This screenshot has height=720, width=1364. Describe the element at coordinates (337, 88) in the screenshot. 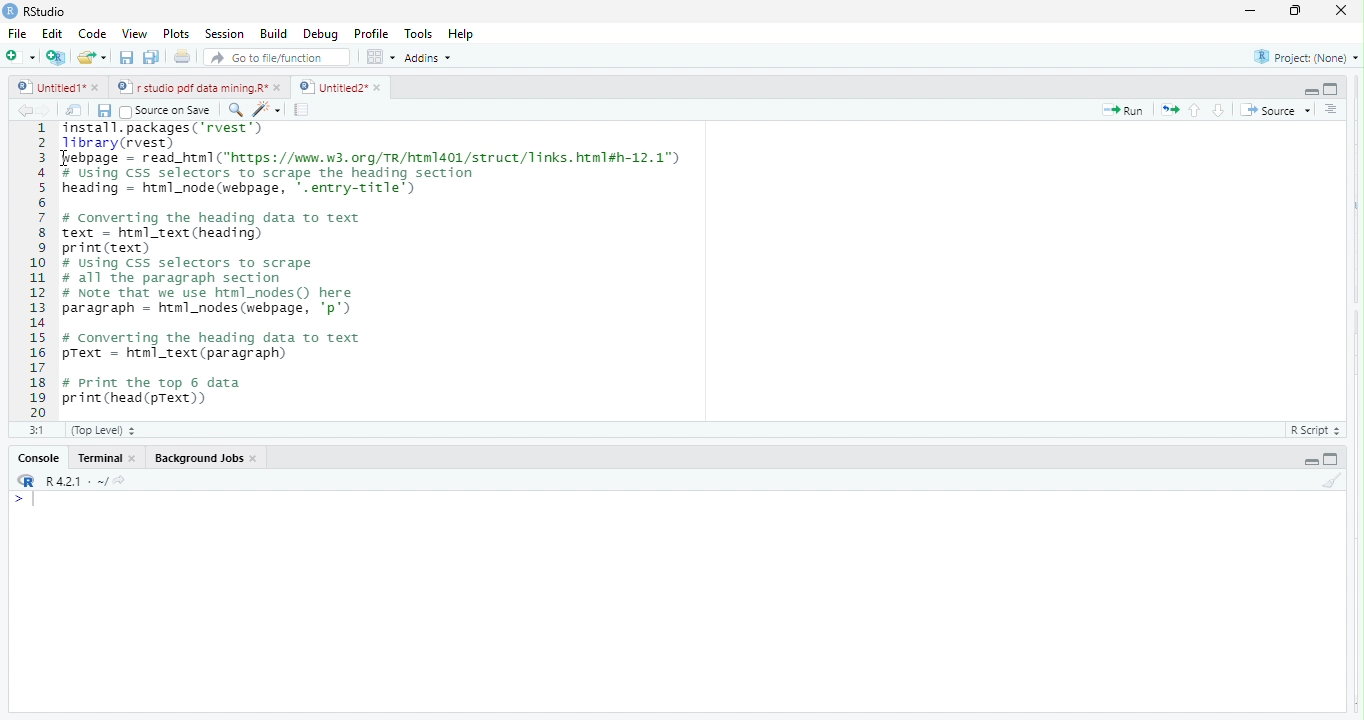

I see ` Untitied2" »` at that location.